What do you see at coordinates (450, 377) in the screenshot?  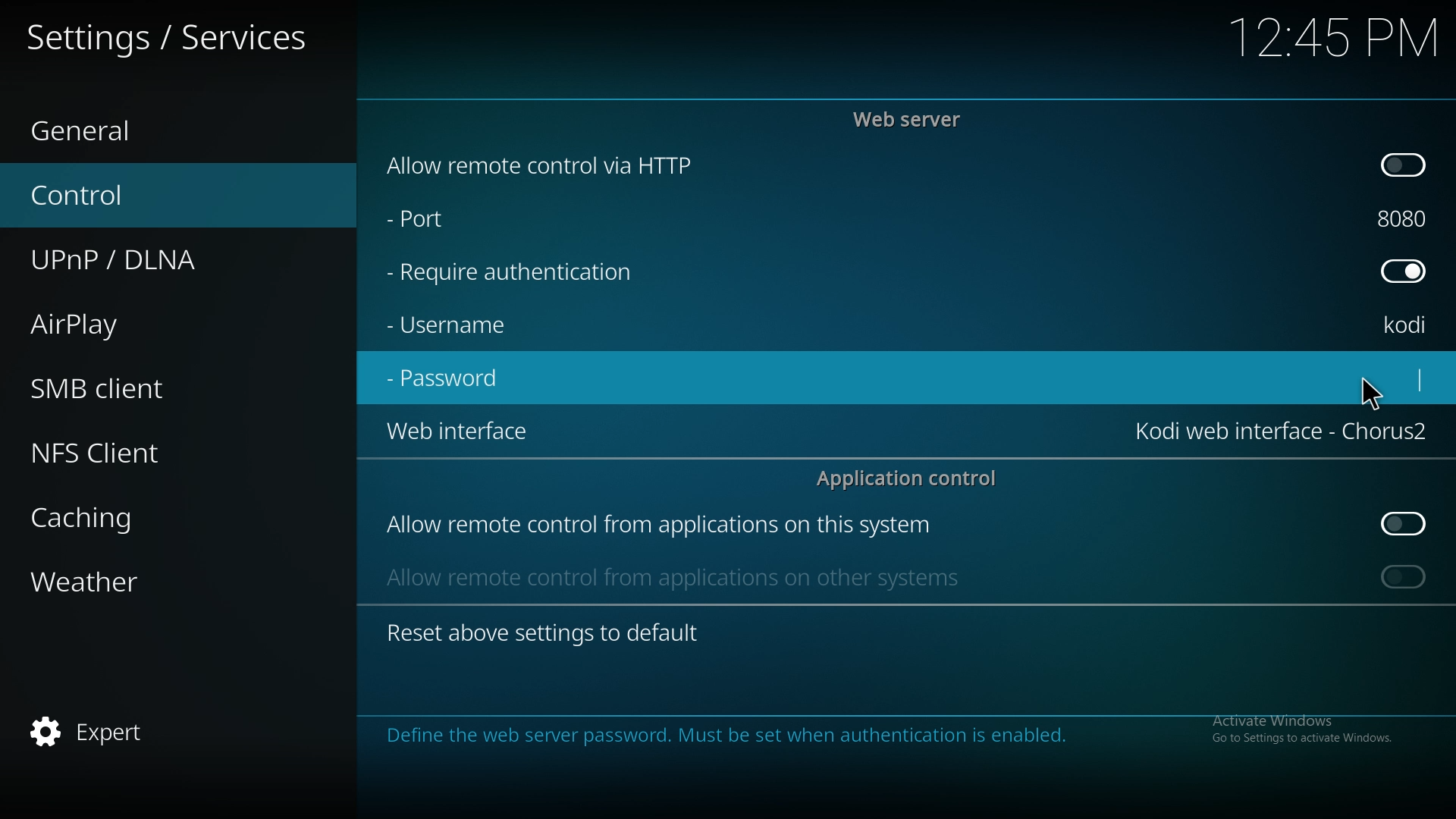 I see `password` at bounding box center [450, 377].